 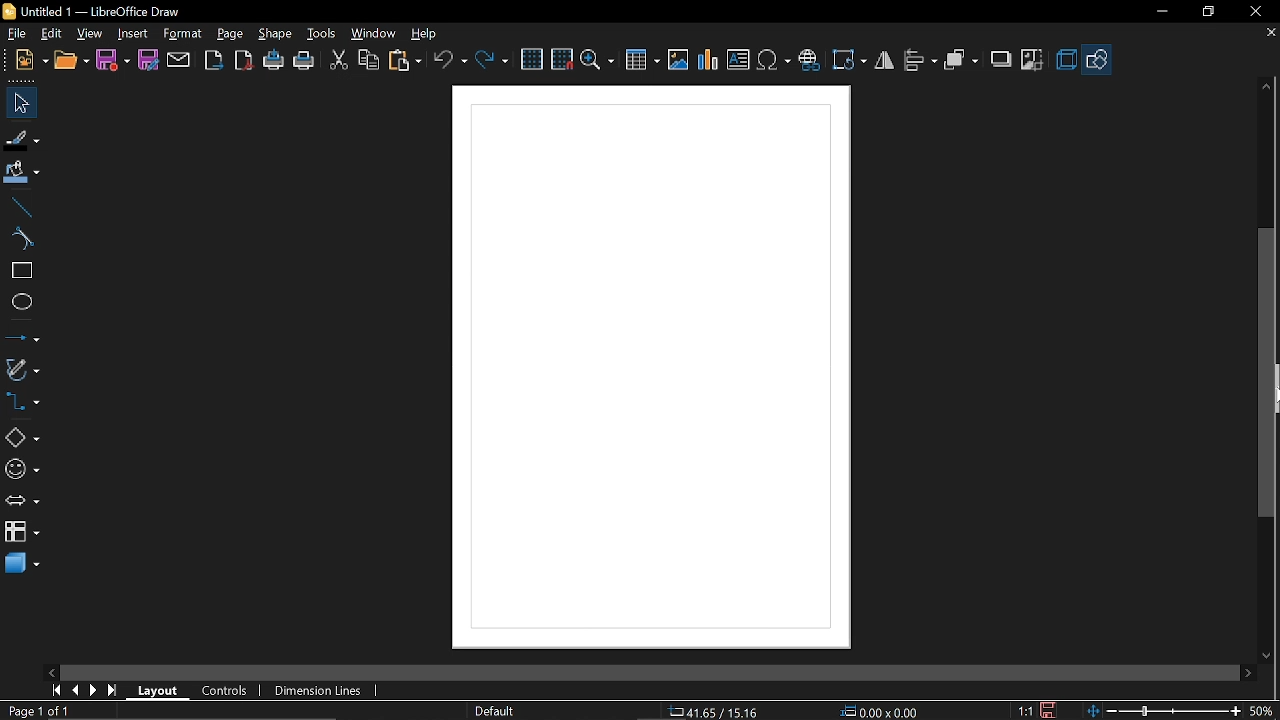 What do you see at coordinates (20, 503) in the screenshot?
I see `arrows ` at bounding box center [20, 503].